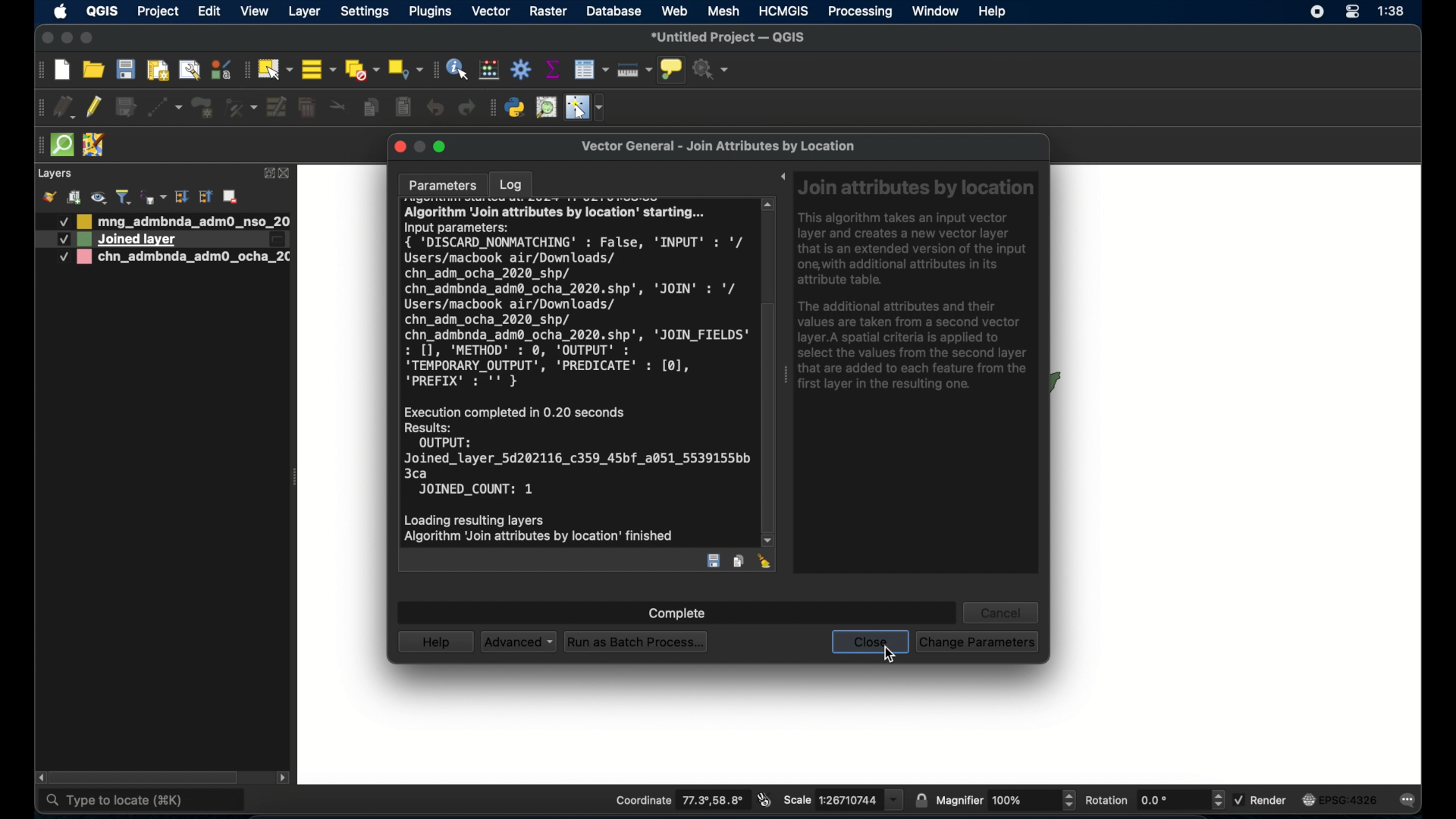 Image resolution: width=1456 pixels, height=819 pixels. I want to click on Join attributes by location
This algorithm takes an input vector
layer and creates a new vector layer
that is an extended version of the input
one, with additional attributes in its
attribute table.

The additional attributes and their
values are taken from a second vector
layer.A spatial criteria is applied to
select the values from the second layer
that are added to each feature from the
first layer in the resulting one., so click(918, 289).